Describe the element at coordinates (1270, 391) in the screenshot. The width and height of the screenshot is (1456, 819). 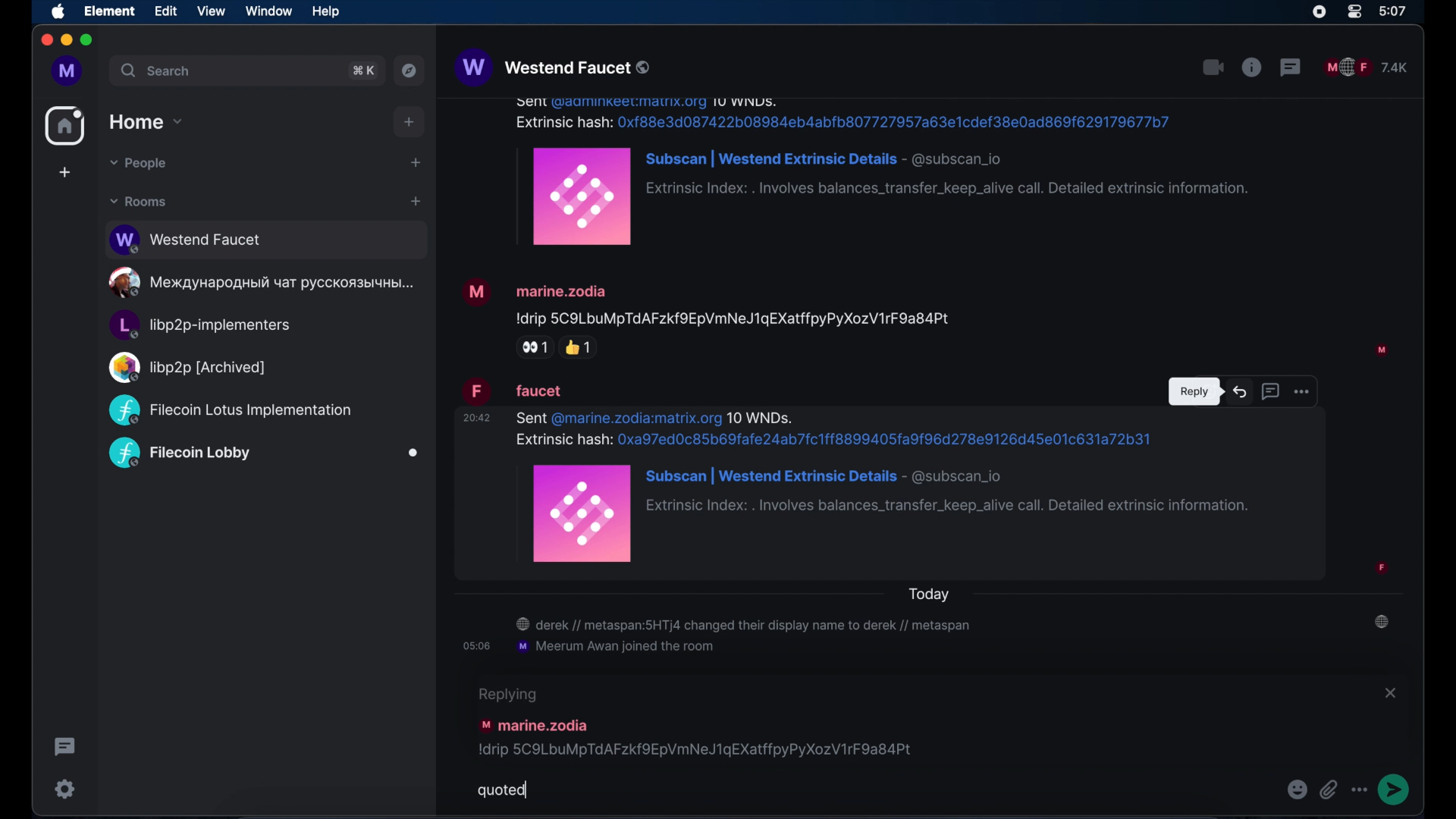
I see `reply in thread` at that location.